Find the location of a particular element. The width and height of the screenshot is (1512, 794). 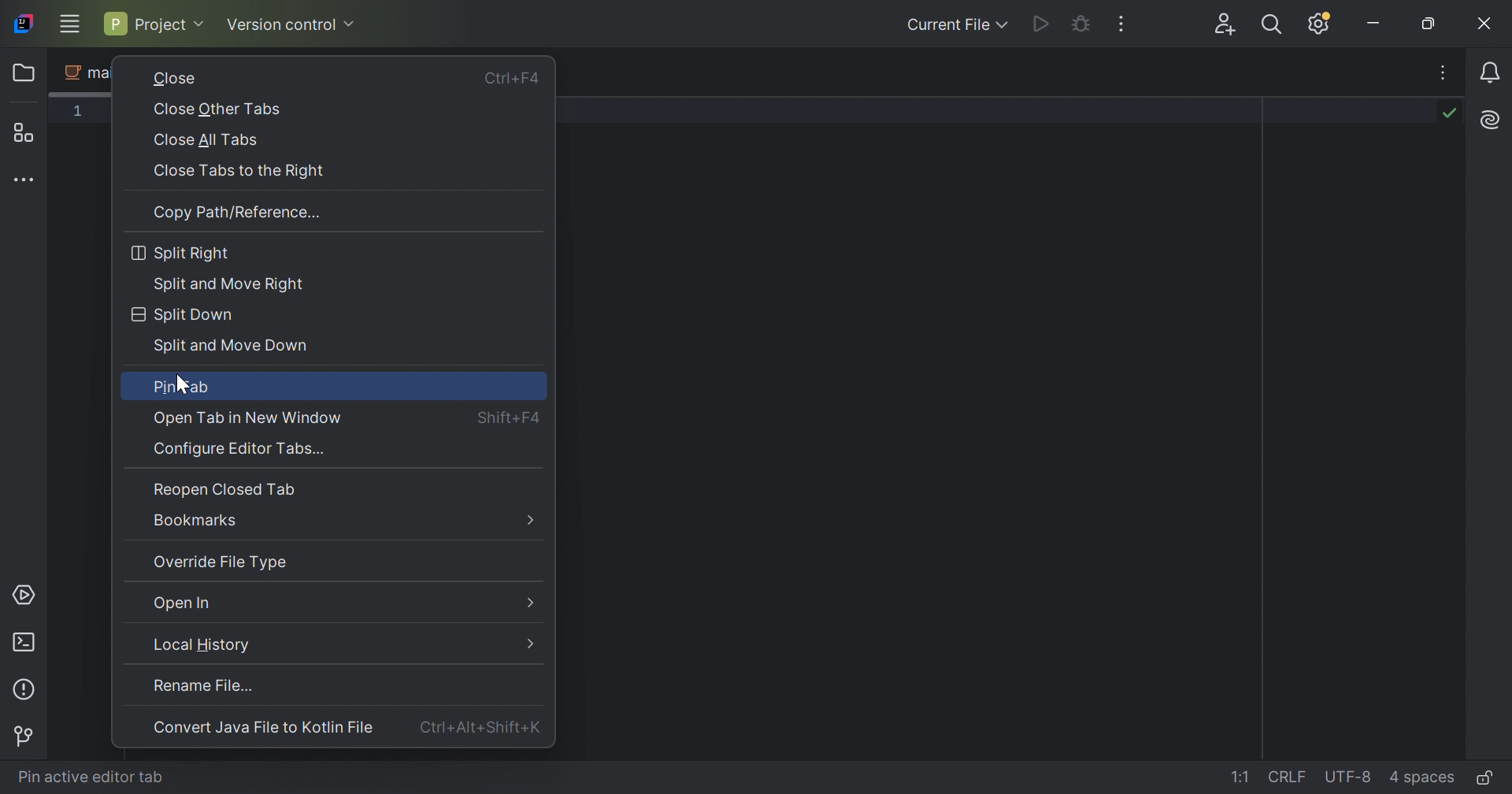

Notifications is located at coordinates (1493, 73).